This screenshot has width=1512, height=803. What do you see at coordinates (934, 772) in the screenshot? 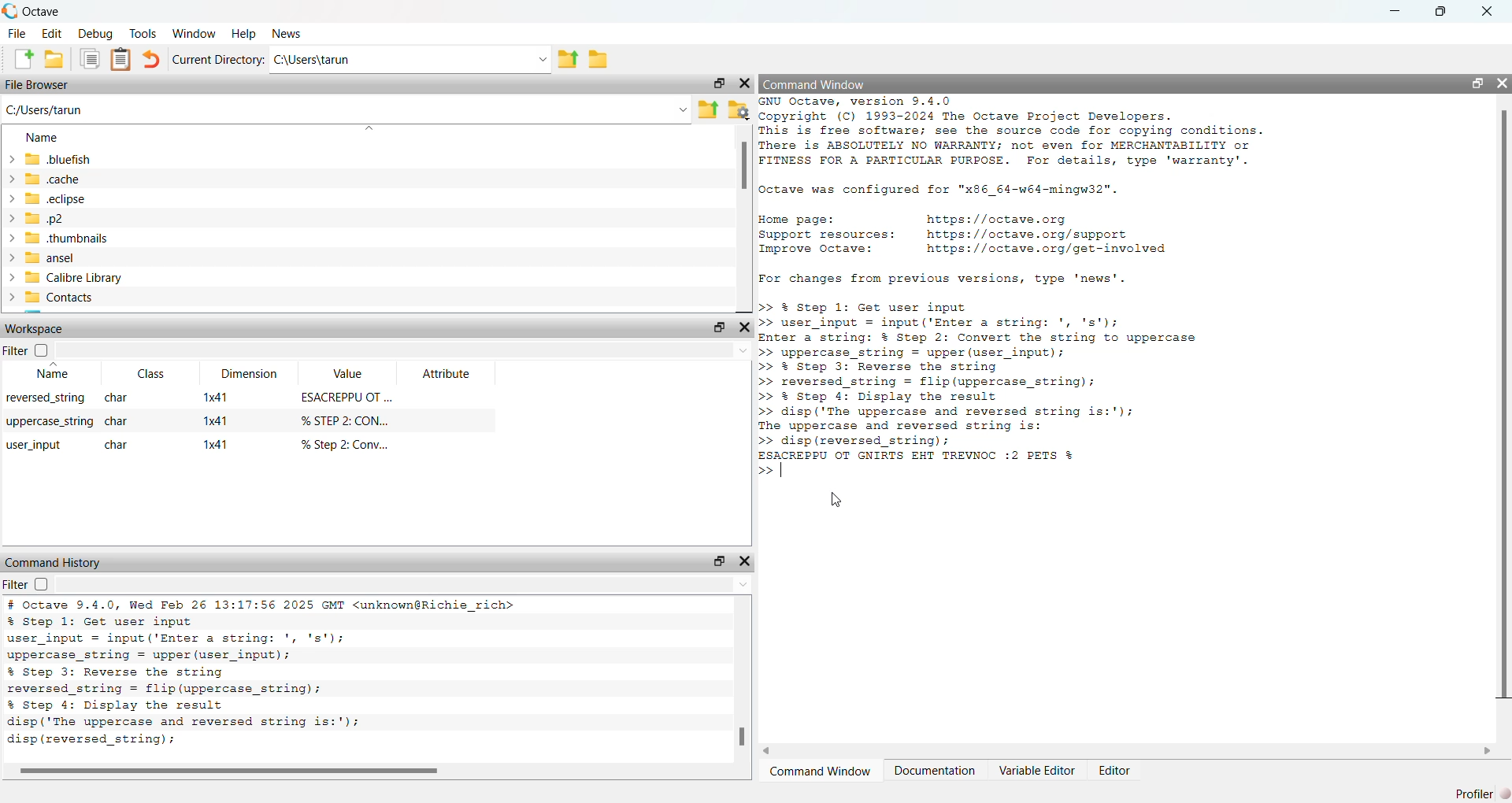
I see `documentation` at bounding box center [934, 772].